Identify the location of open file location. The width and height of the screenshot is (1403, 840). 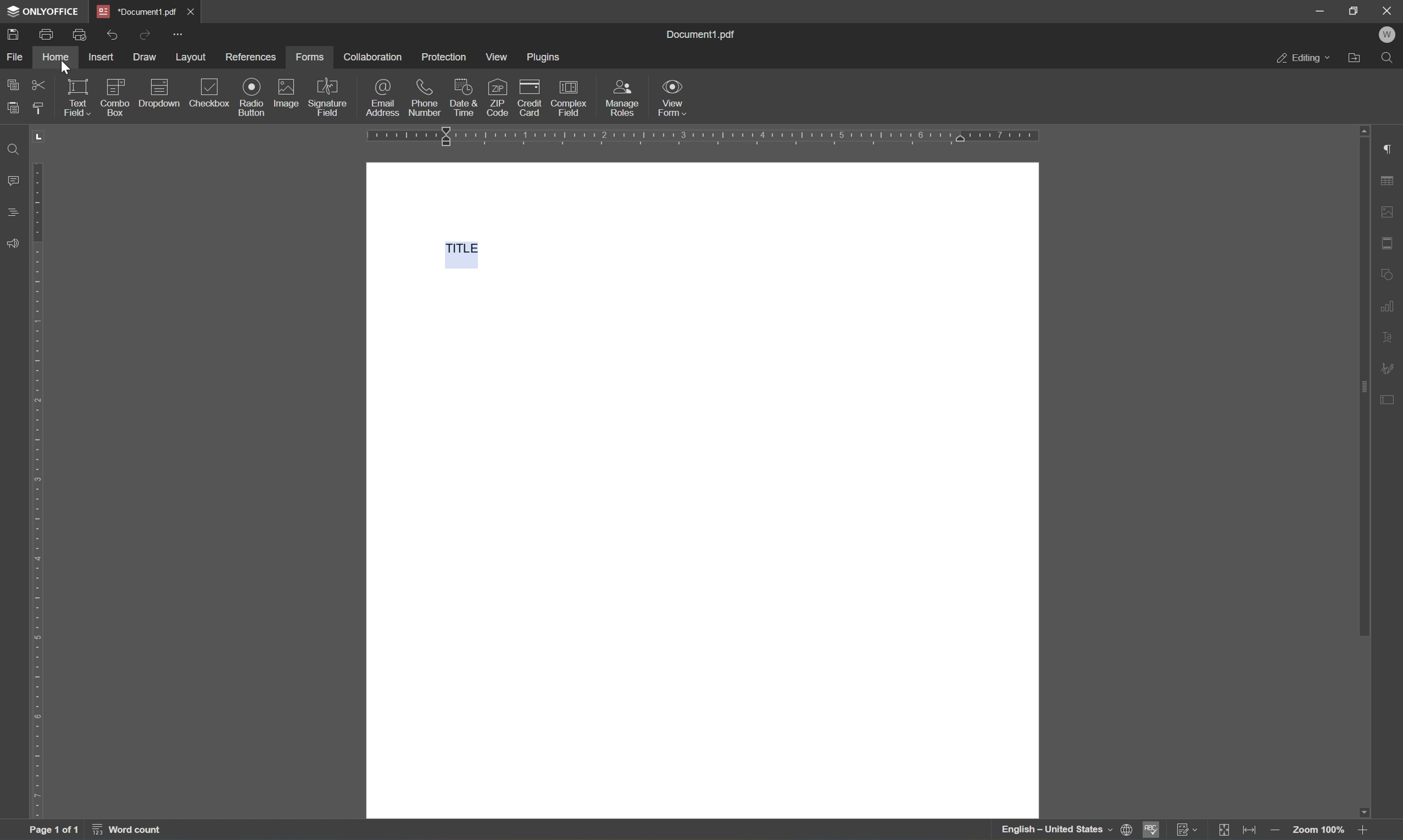
(1354, 58).